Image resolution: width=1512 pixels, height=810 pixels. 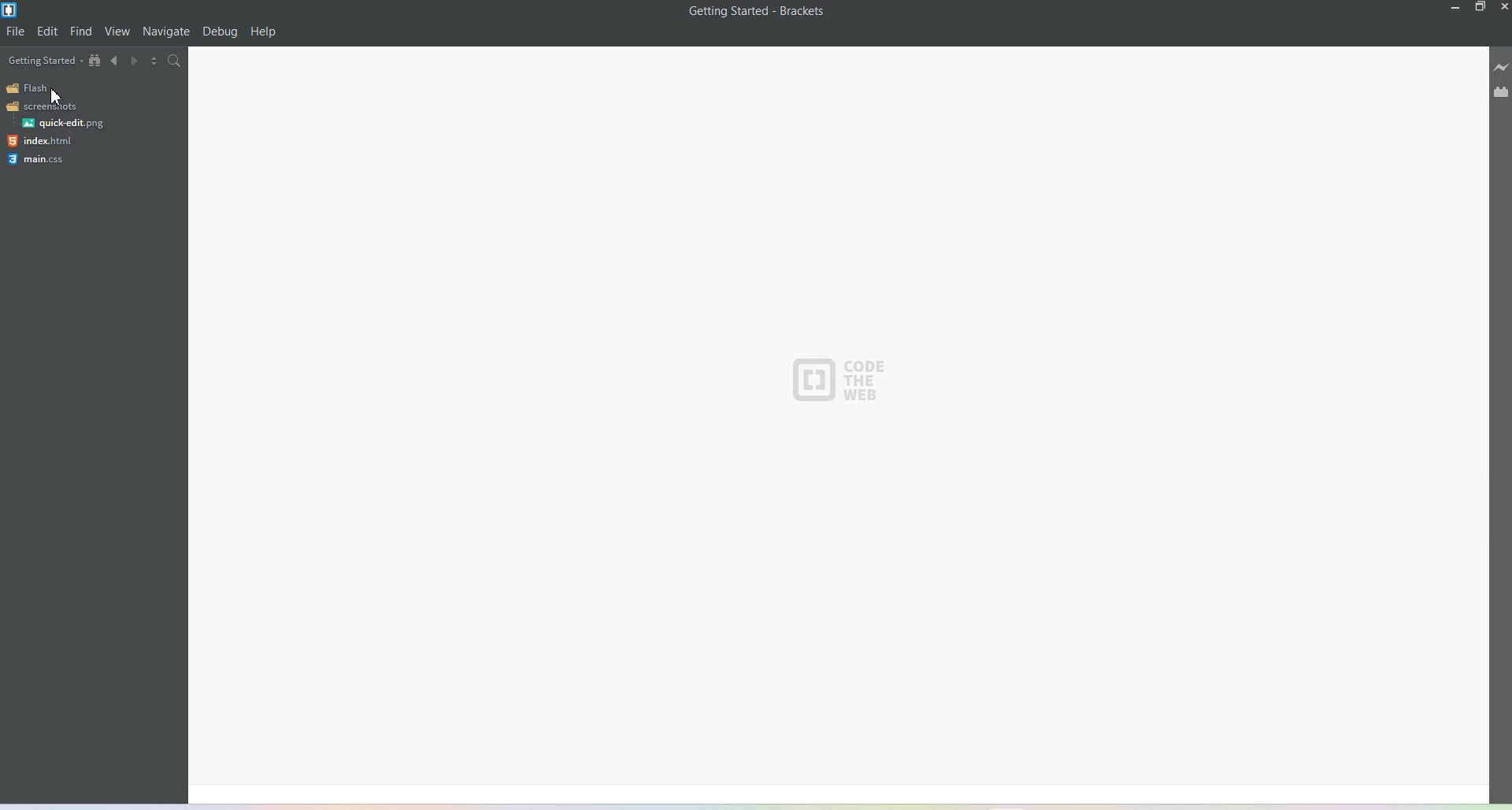 I want to click on Logo, so click(x=40, y=141).